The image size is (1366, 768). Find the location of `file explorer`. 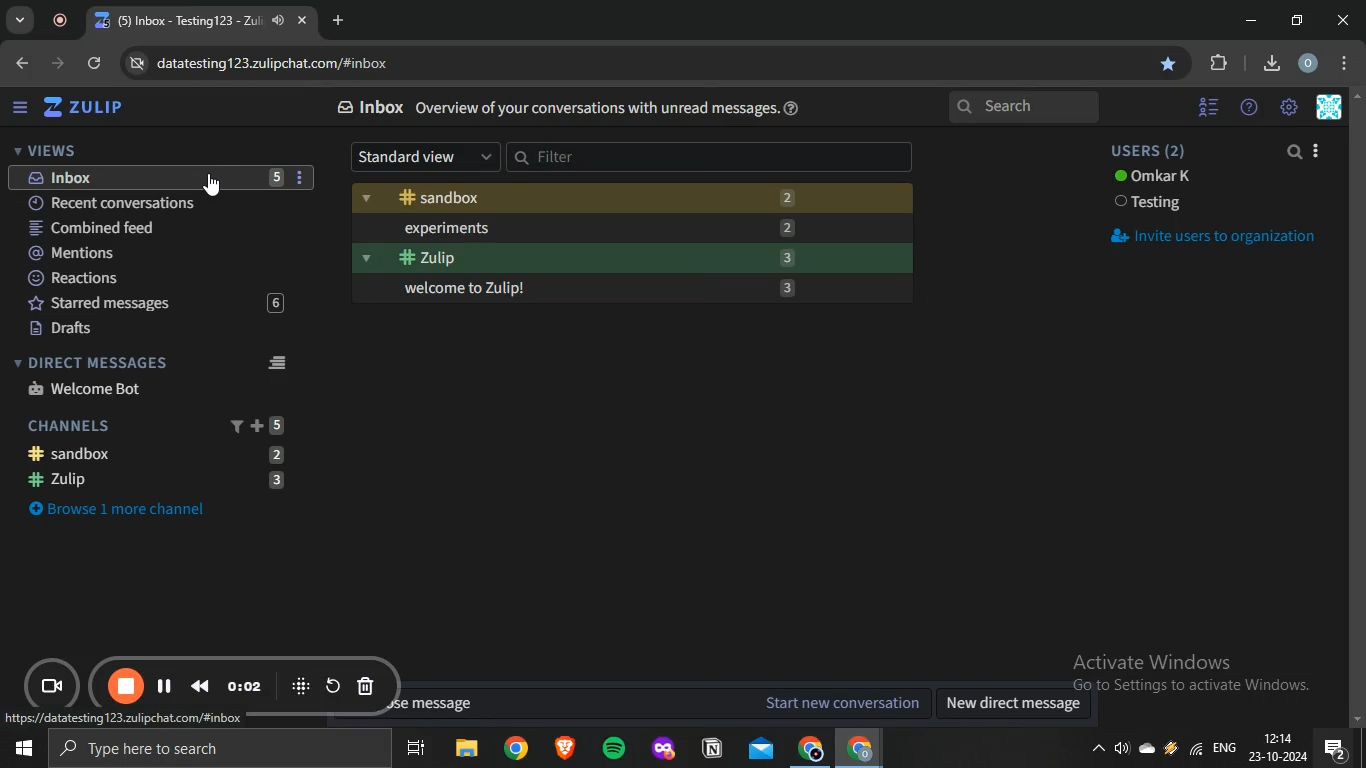

file explorer is located at coordinates (468, 750).